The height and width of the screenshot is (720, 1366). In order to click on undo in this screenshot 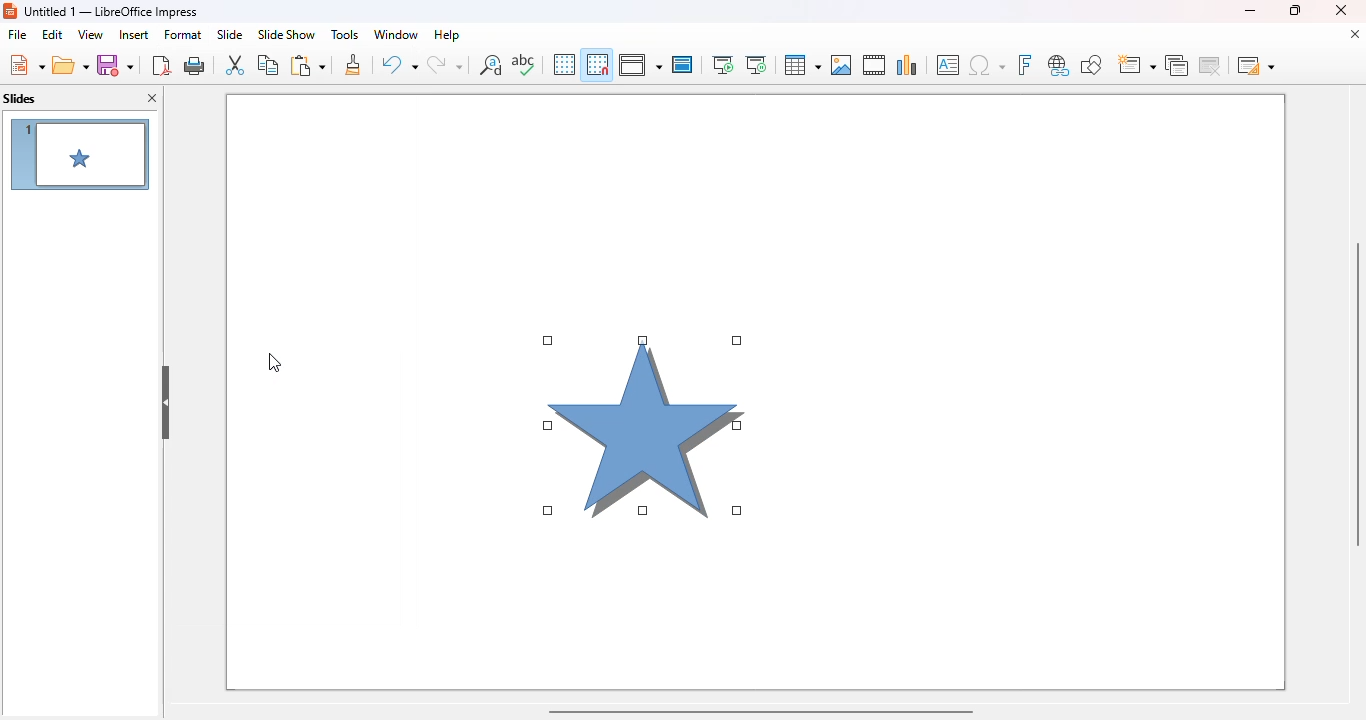, I will do `click(399, 65)`.